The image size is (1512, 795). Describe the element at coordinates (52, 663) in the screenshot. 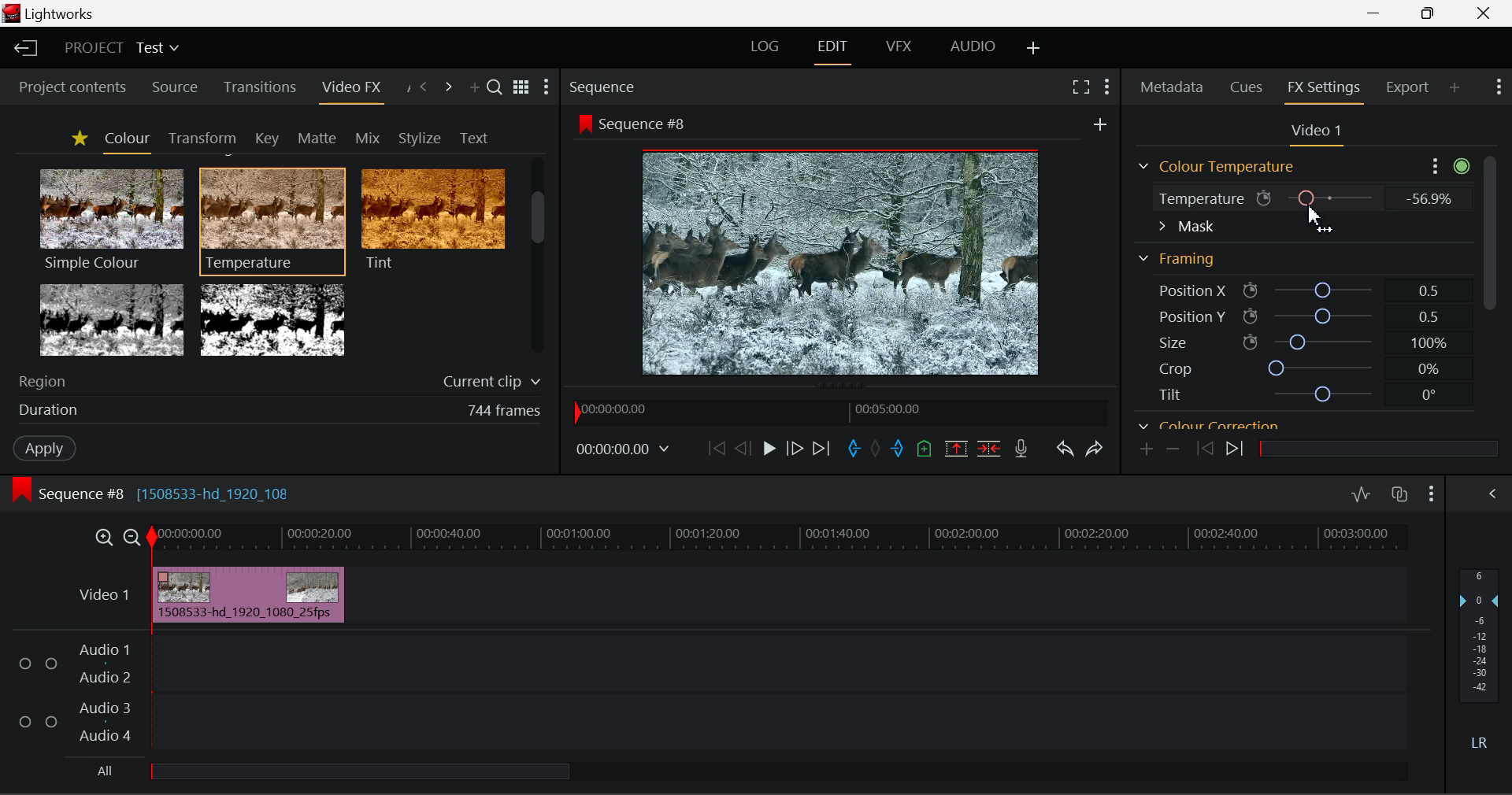

I see `Checkbox` at that location.